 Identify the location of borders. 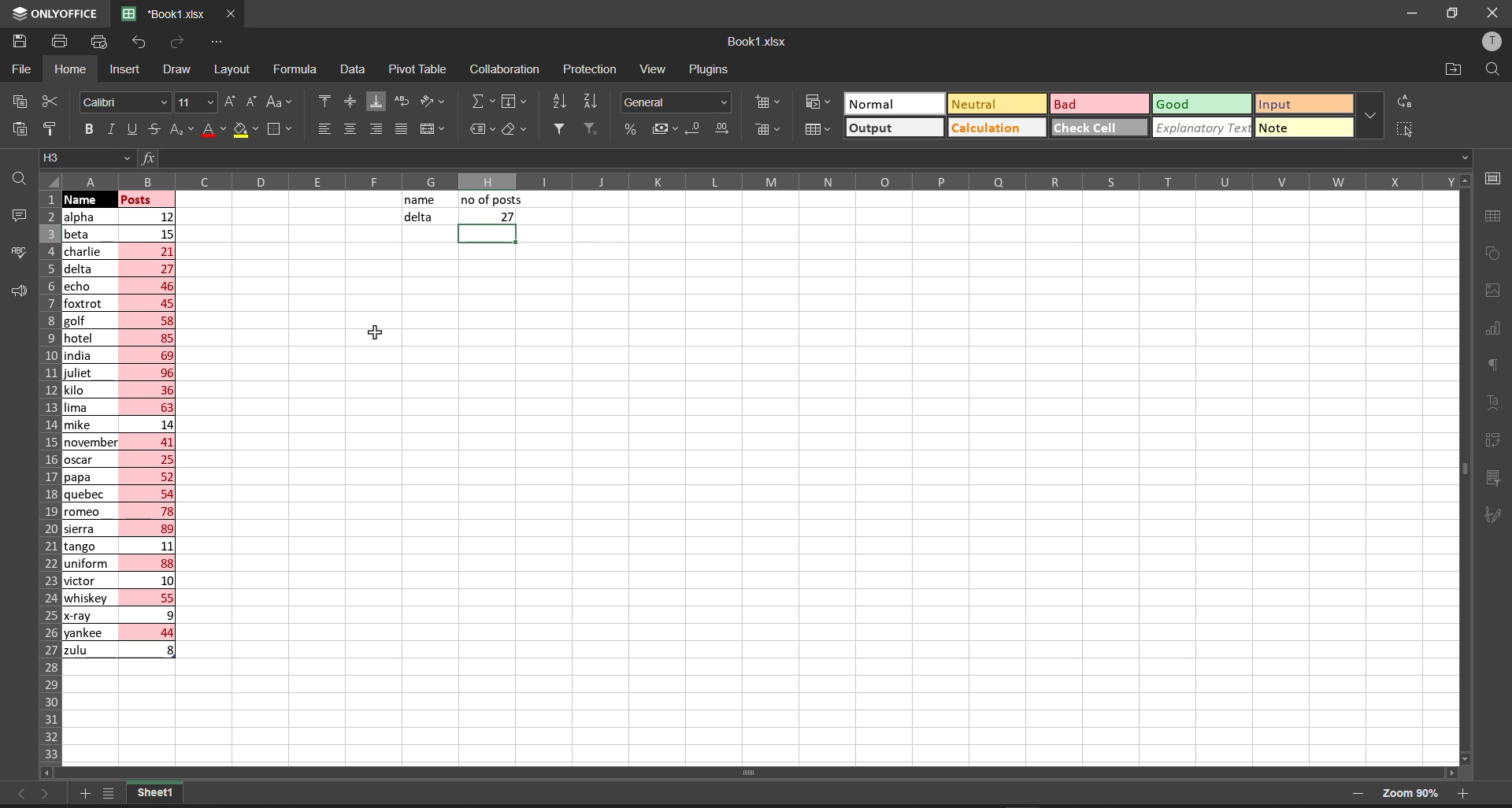
(282, 130).